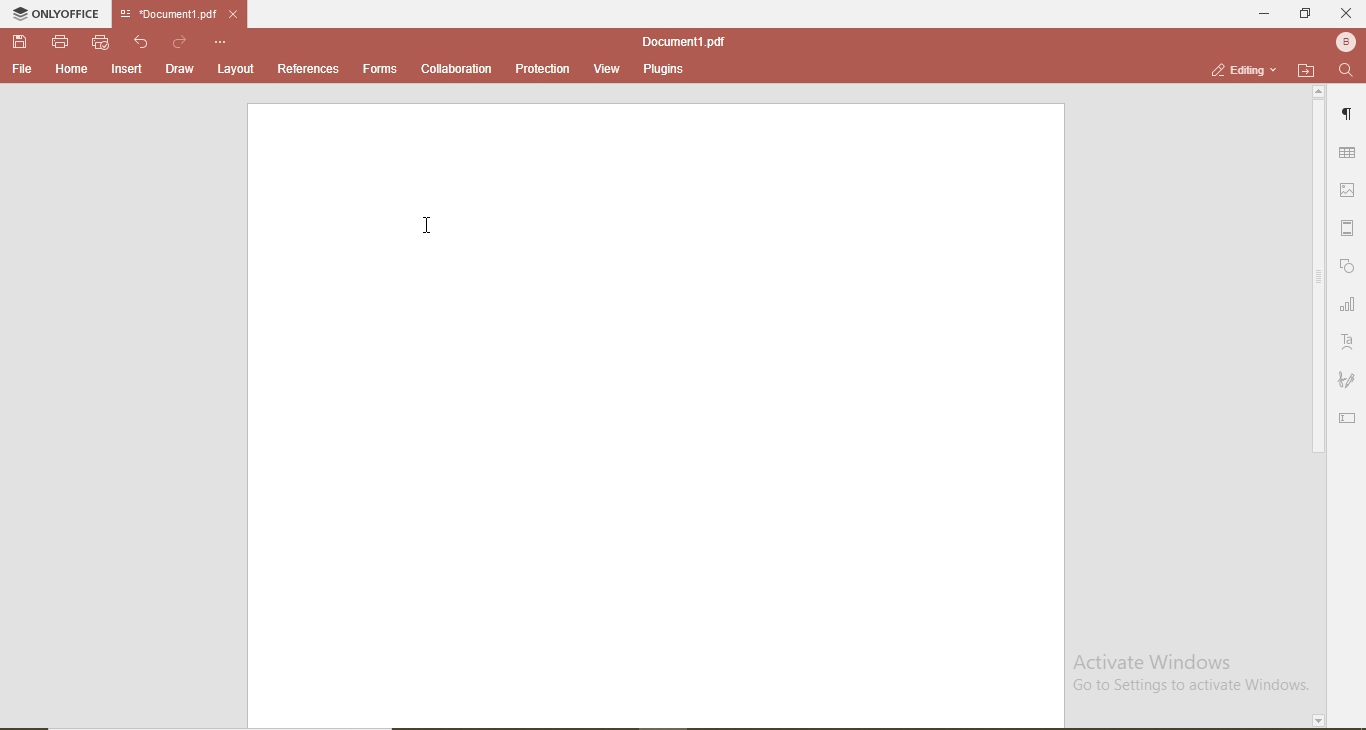  I want to click on quick print, so click(101, 43).